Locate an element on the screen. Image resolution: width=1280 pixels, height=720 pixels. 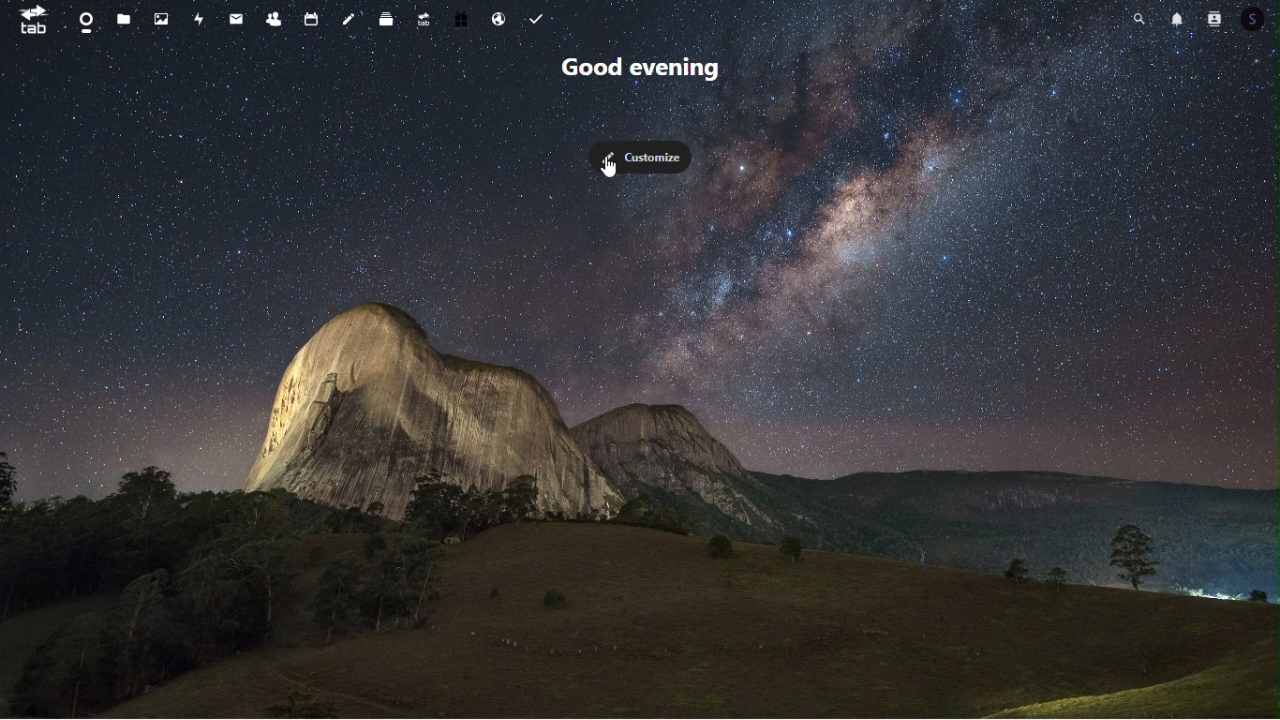
Calendar is located at coordinates (310, 19).